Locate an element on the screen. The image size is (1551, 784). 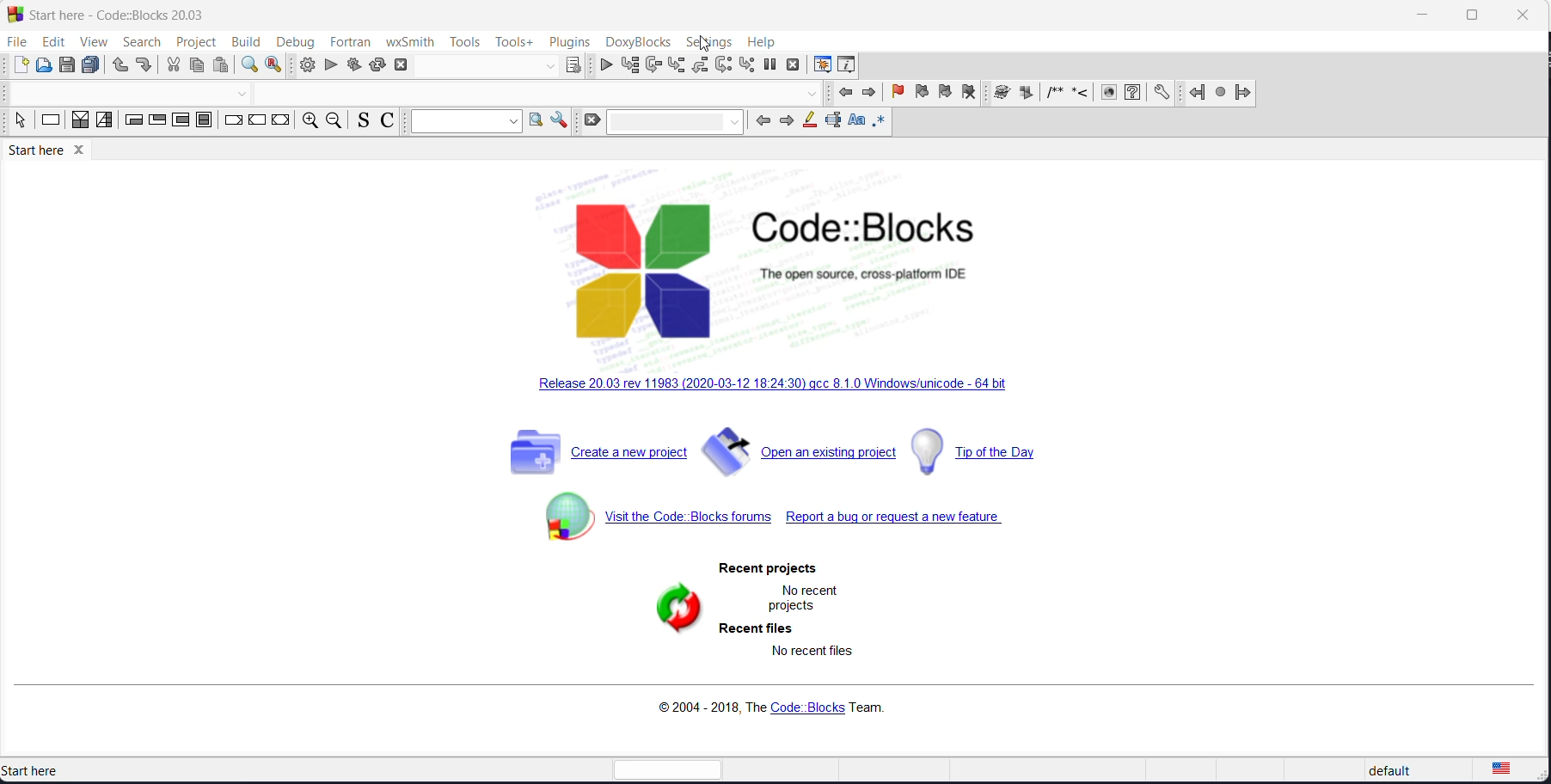
fortran is located at coordinates (348, 40).